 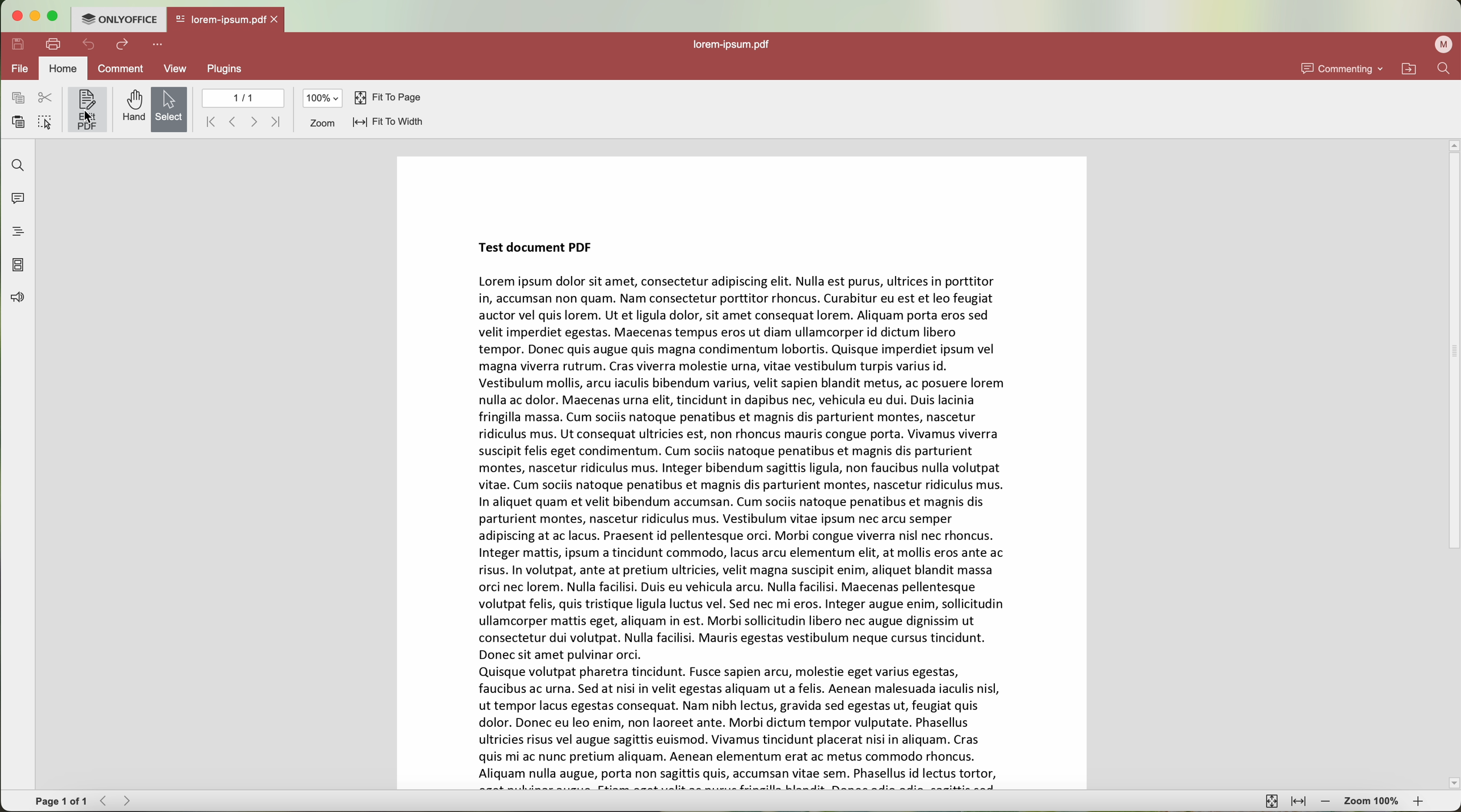 What do you see at coordinates (169, 109) in the screenshot?
I see `select` at bounding box center [169, 109].